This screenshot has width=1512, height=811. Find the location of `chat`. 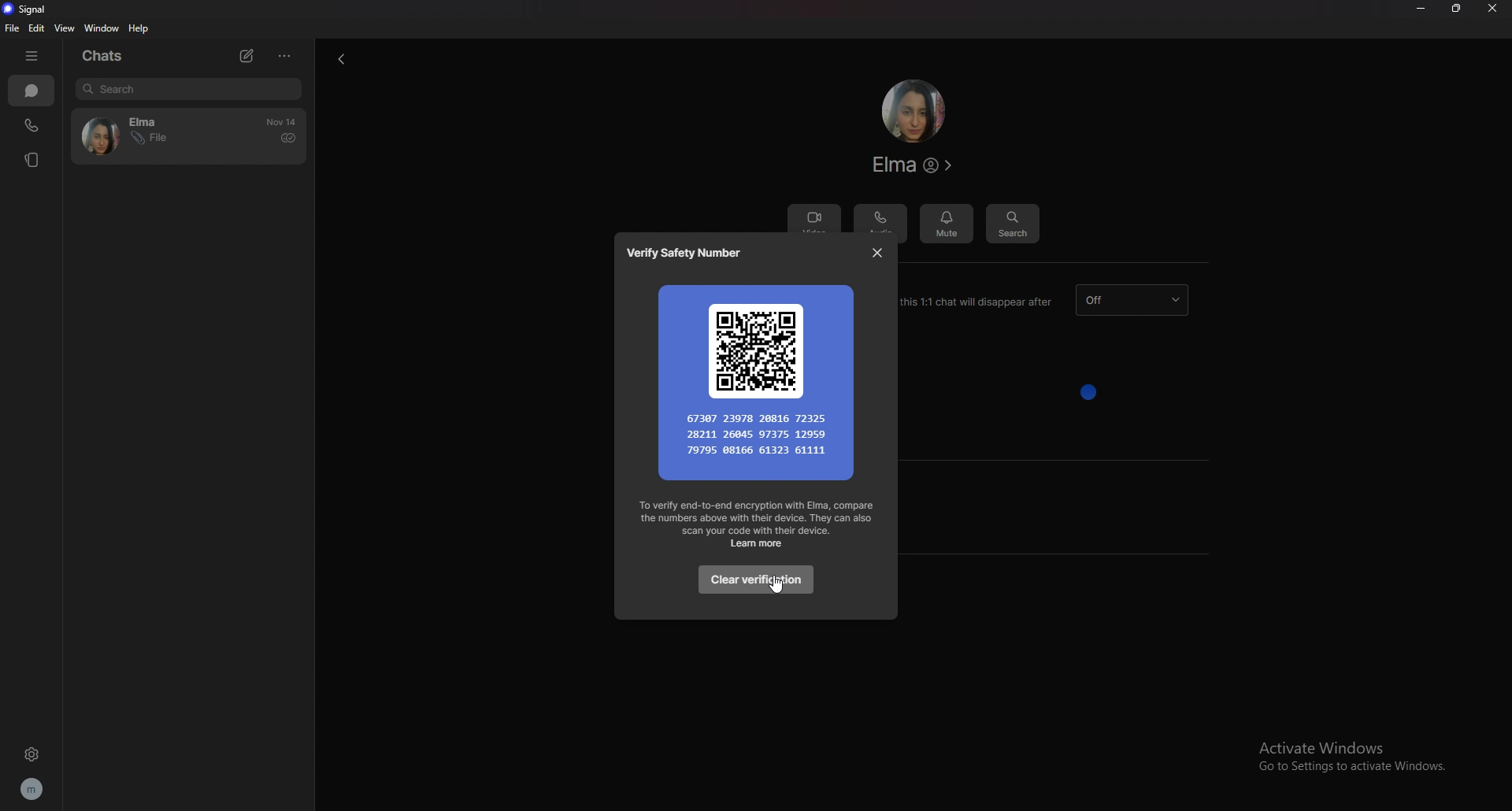

chat is located at coordinates (146, 136).